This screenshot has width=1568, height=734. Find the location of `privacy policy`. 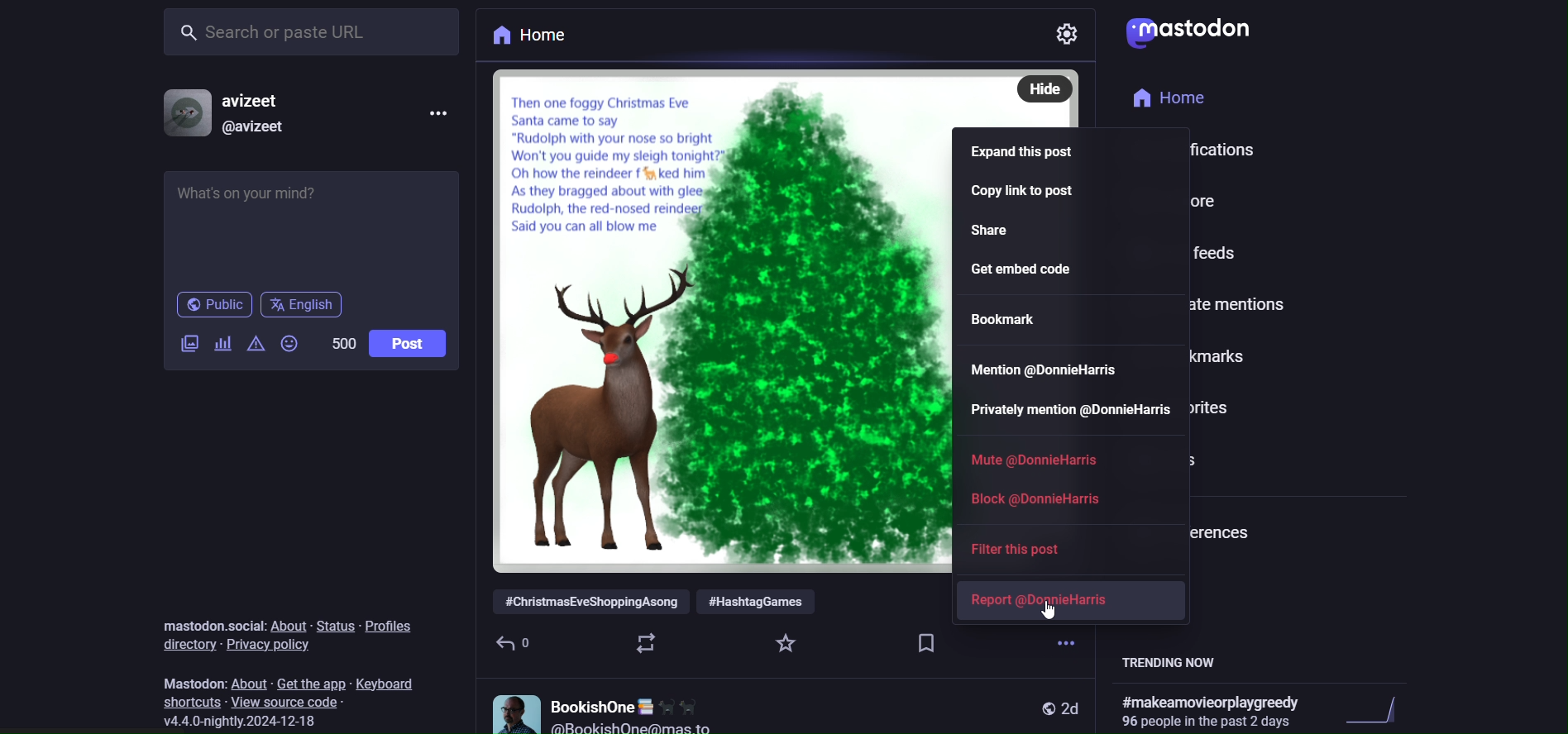

privacy policy is located at coordinates (271, 646).